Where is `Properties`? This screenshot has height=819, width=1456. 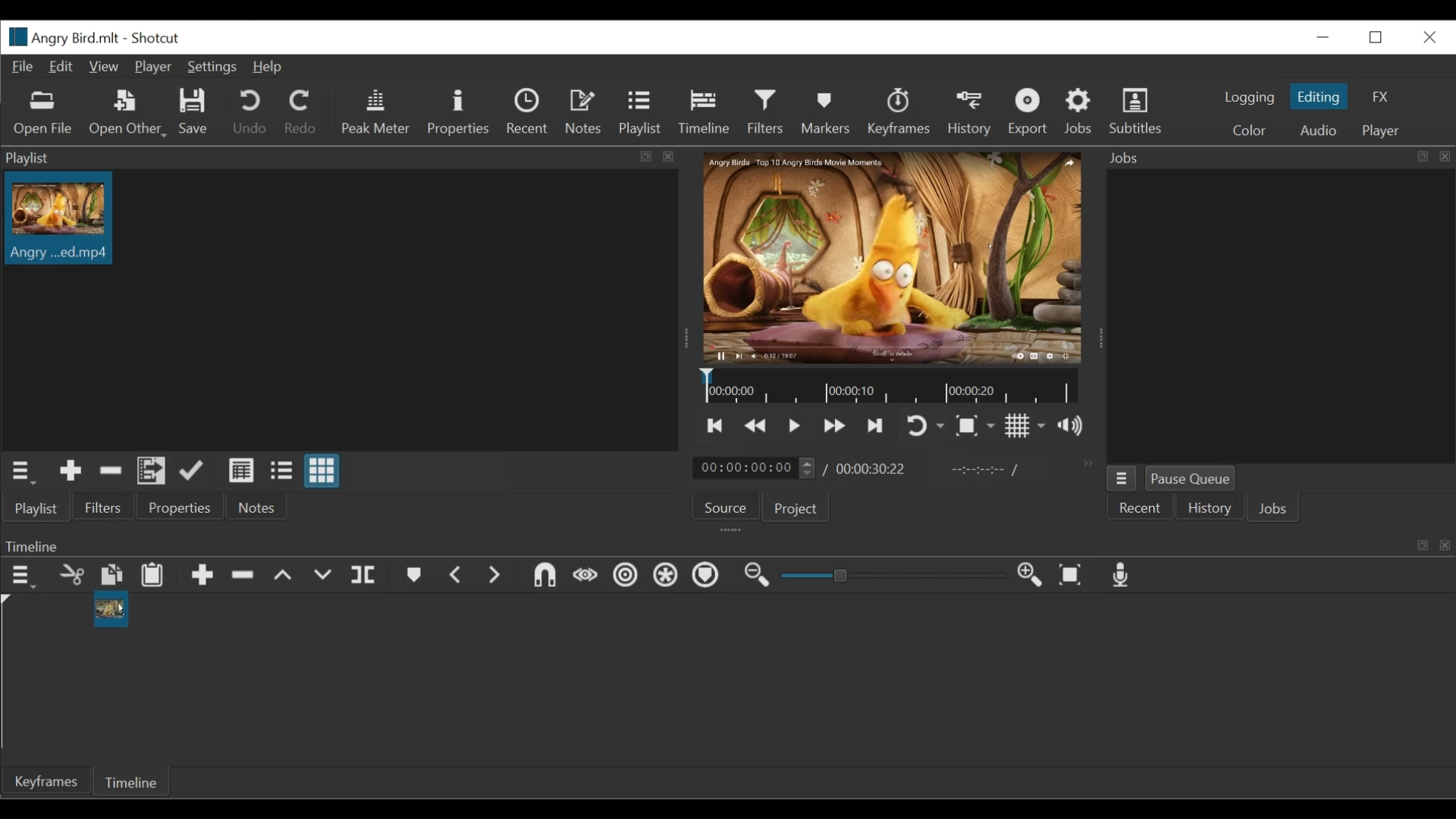 Properties is located at coordinates (176, 506).